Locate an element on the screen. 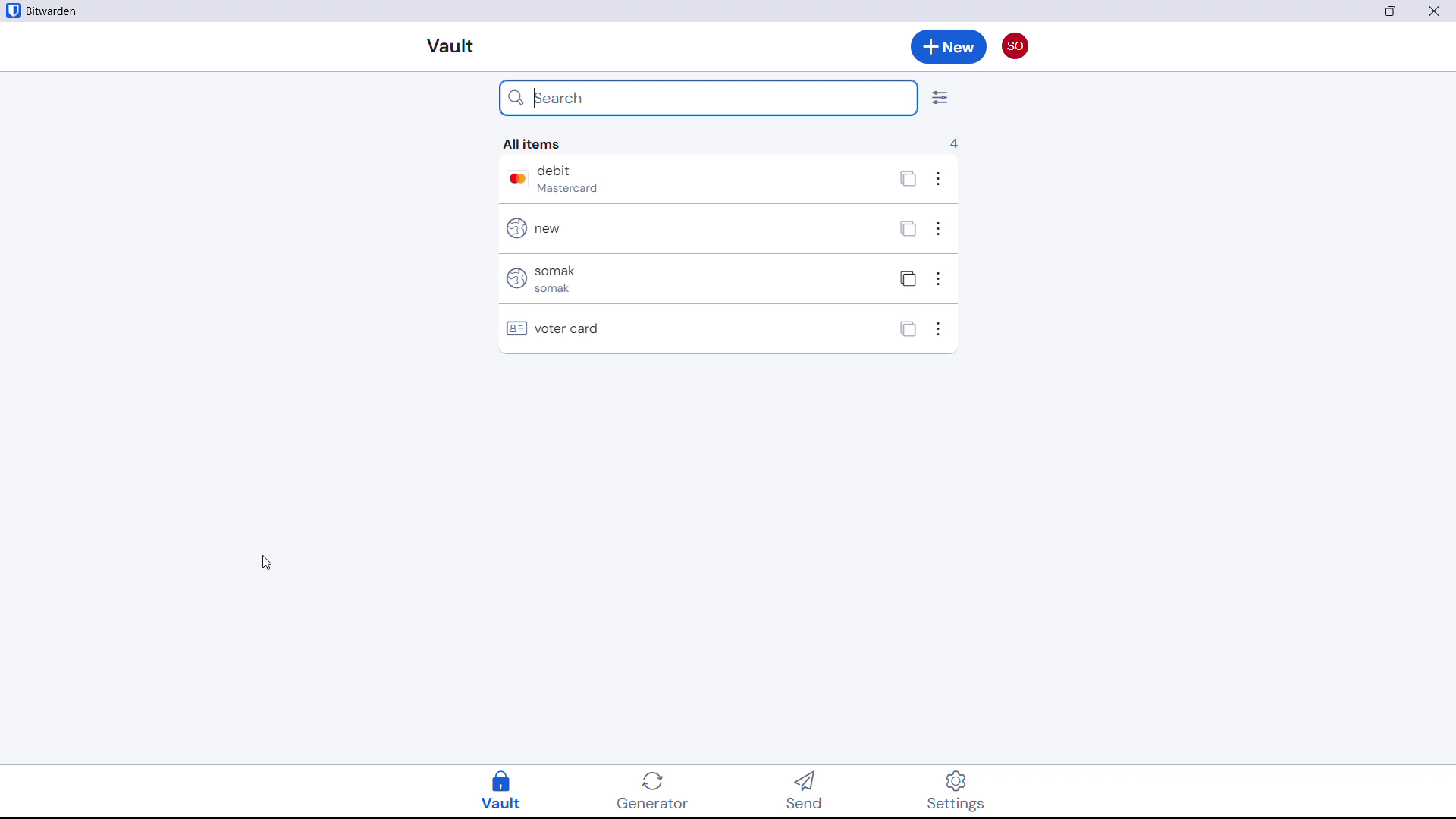  logged in account "SO" is located at coordinates (1014, 42).